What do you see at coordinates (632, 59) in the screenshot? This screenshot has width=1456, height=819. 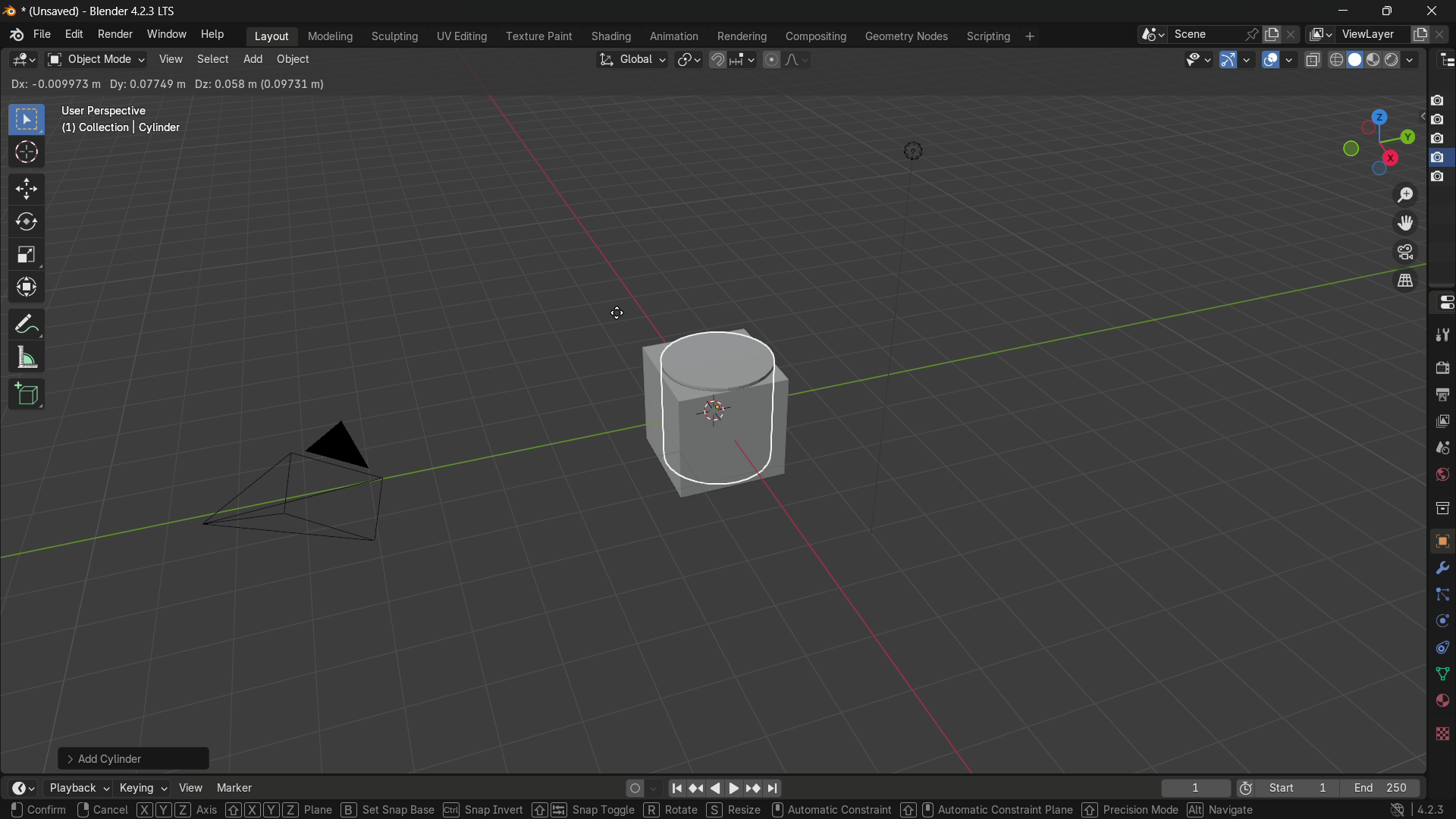 I see `transformation orientation` at bounding box center [632, 59].